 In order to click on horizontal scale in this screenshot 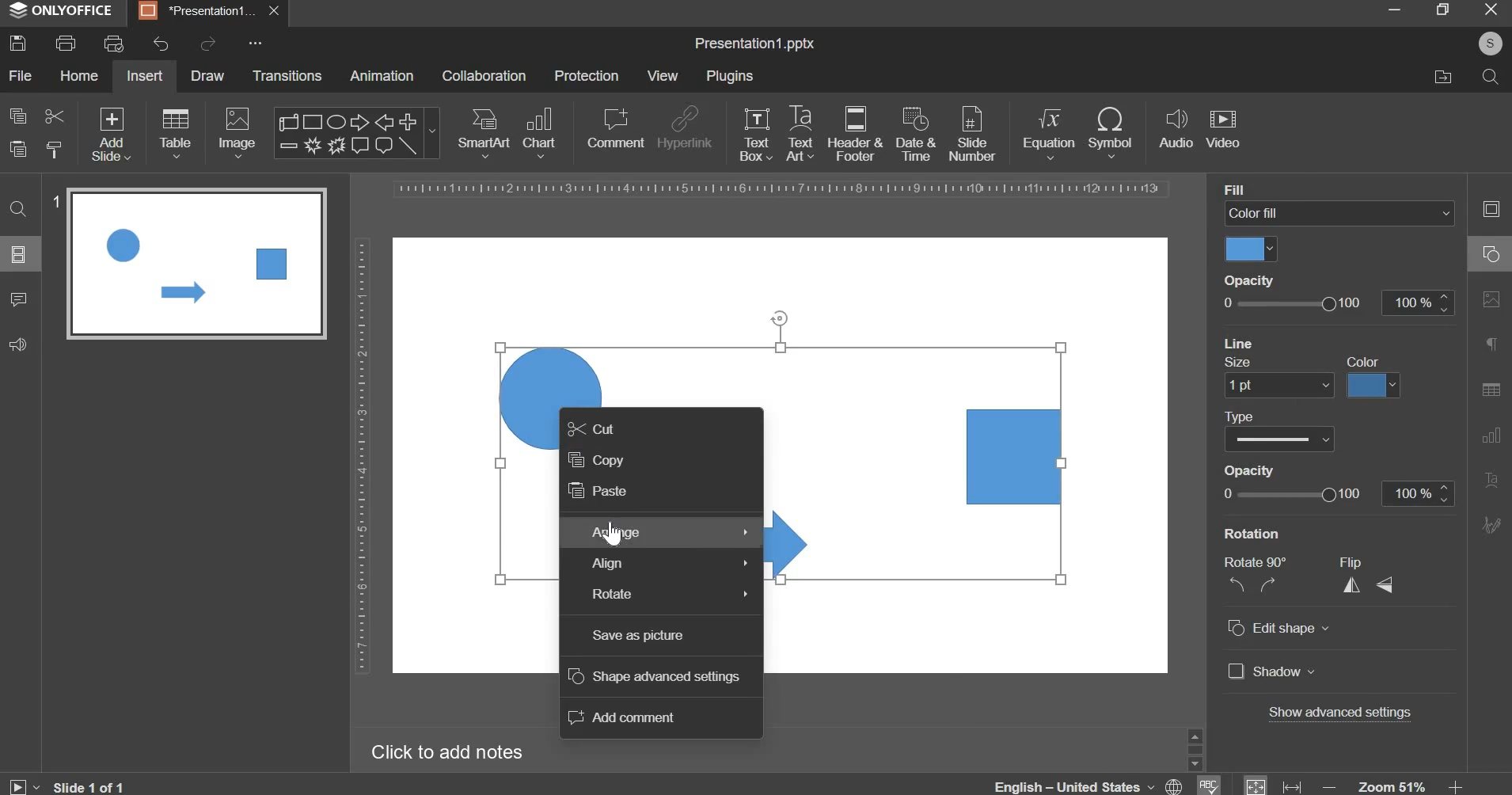, I will do `click(783, 189)`.